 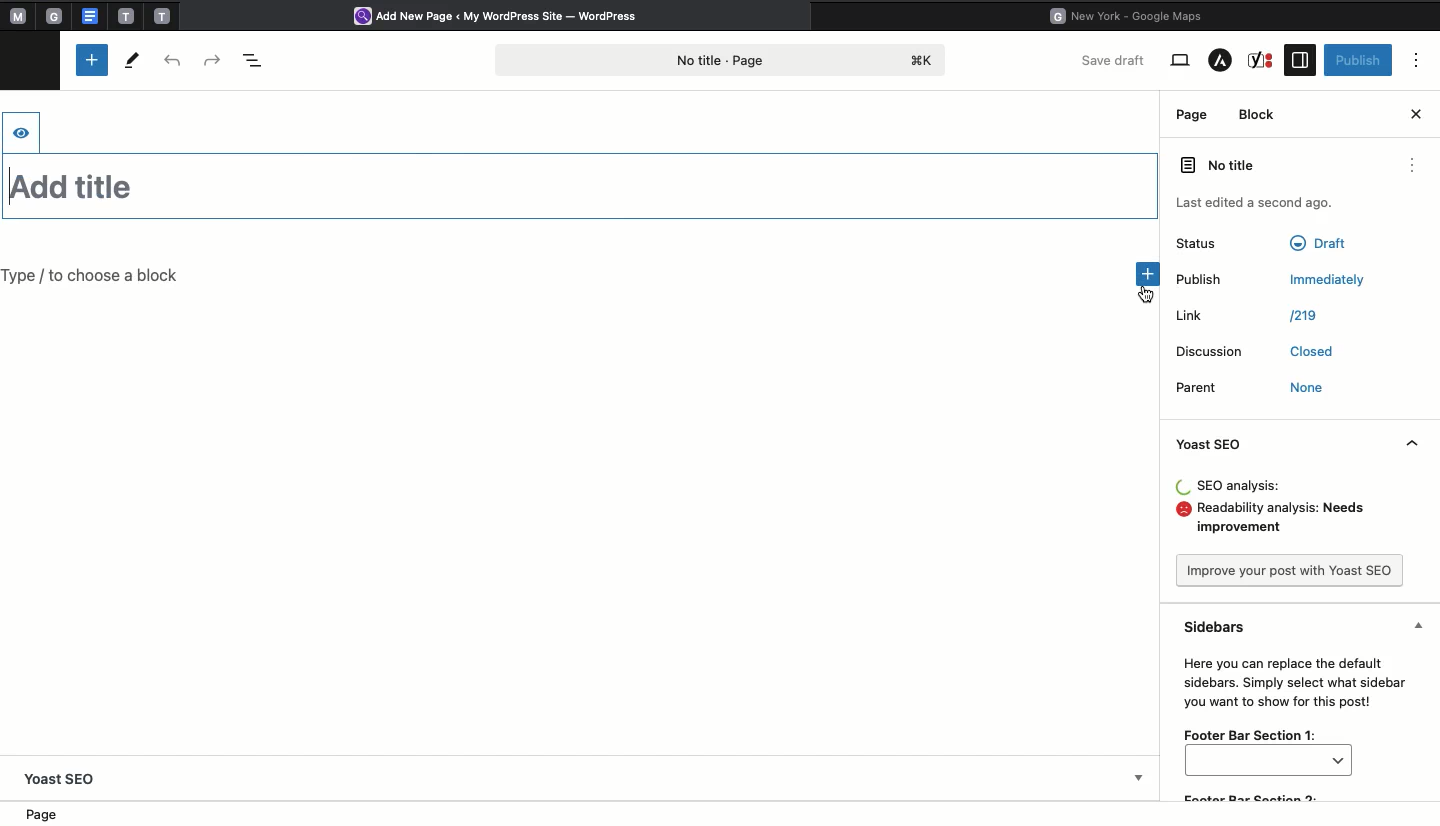 What do you see at coordinates (1417, 112) in the screenshot?
I see `Close` at bounding box center [1417, 112].